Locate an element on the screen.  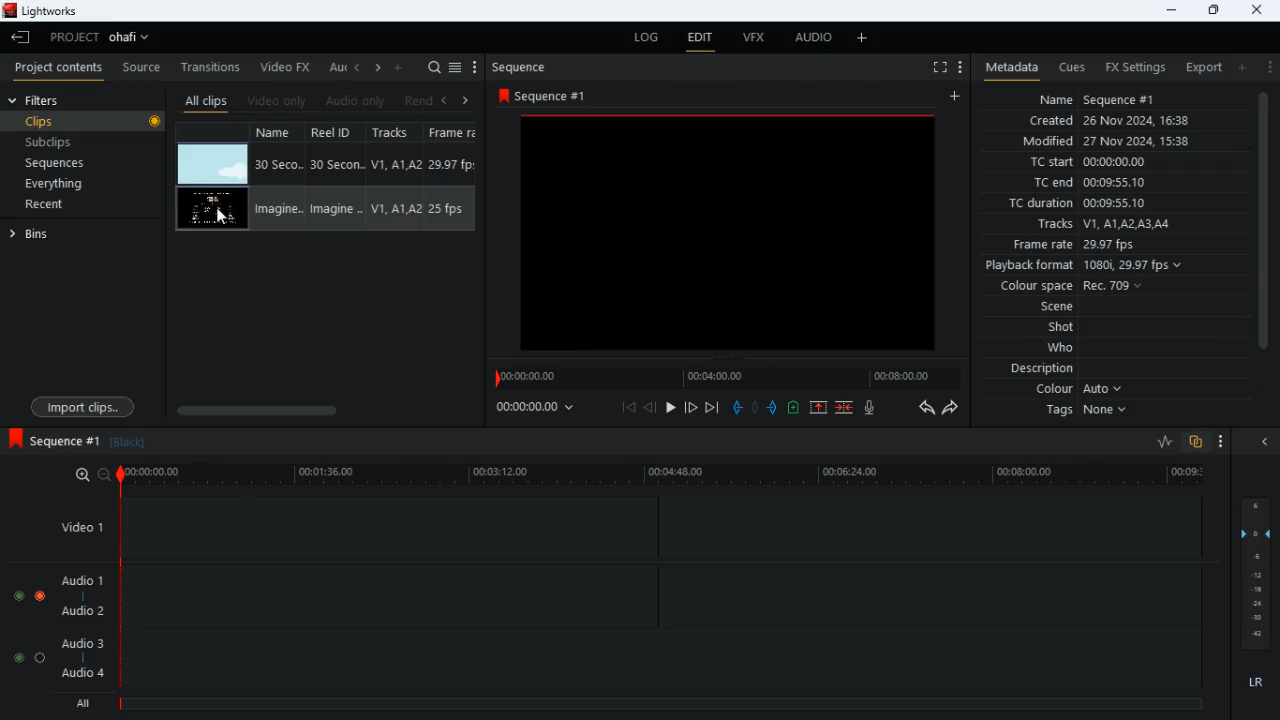
more is located at coordinates (861, 39).